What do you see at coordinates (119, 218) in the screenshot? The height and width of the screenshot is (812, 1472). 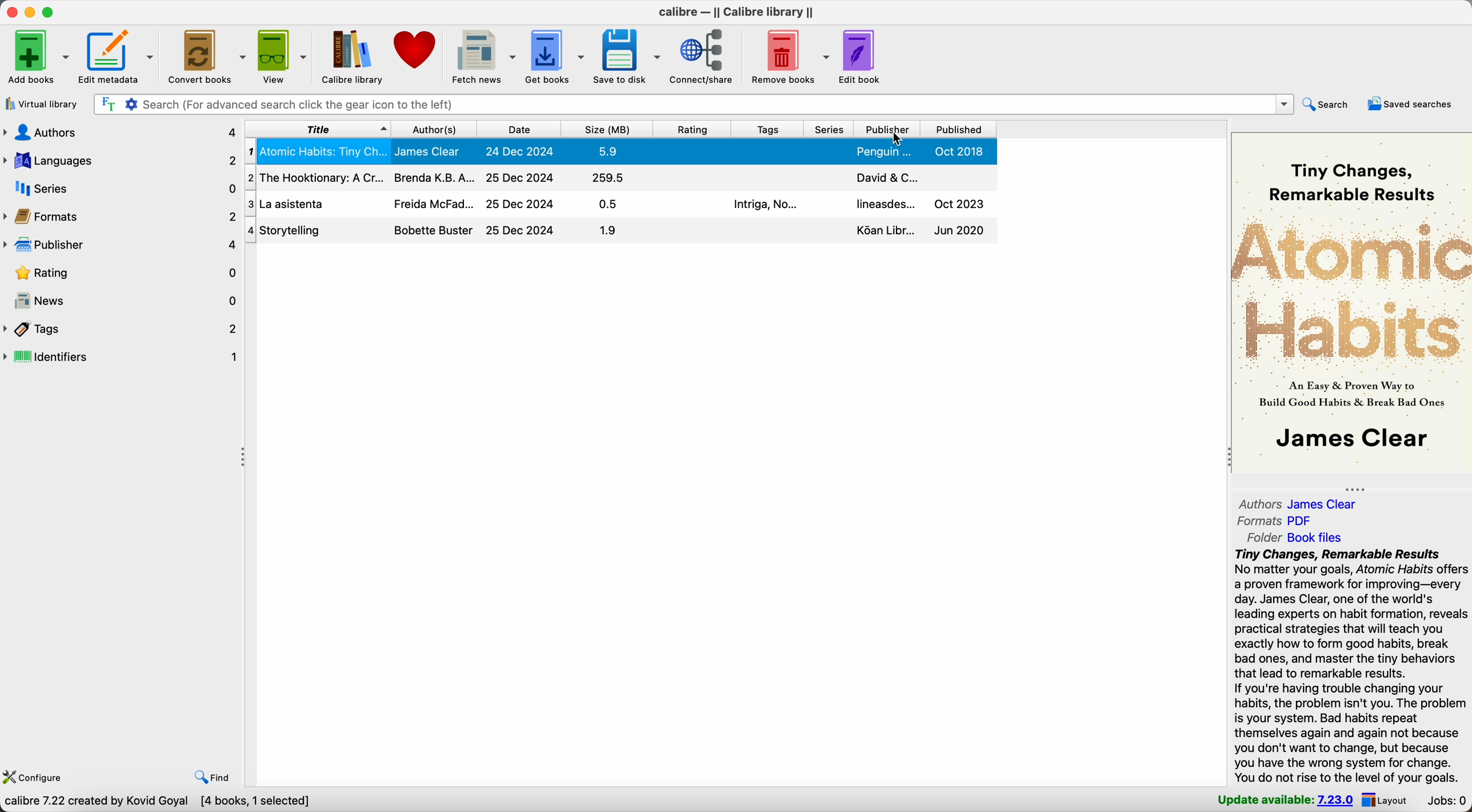 I see `formats` at bounding box center [119, 218].